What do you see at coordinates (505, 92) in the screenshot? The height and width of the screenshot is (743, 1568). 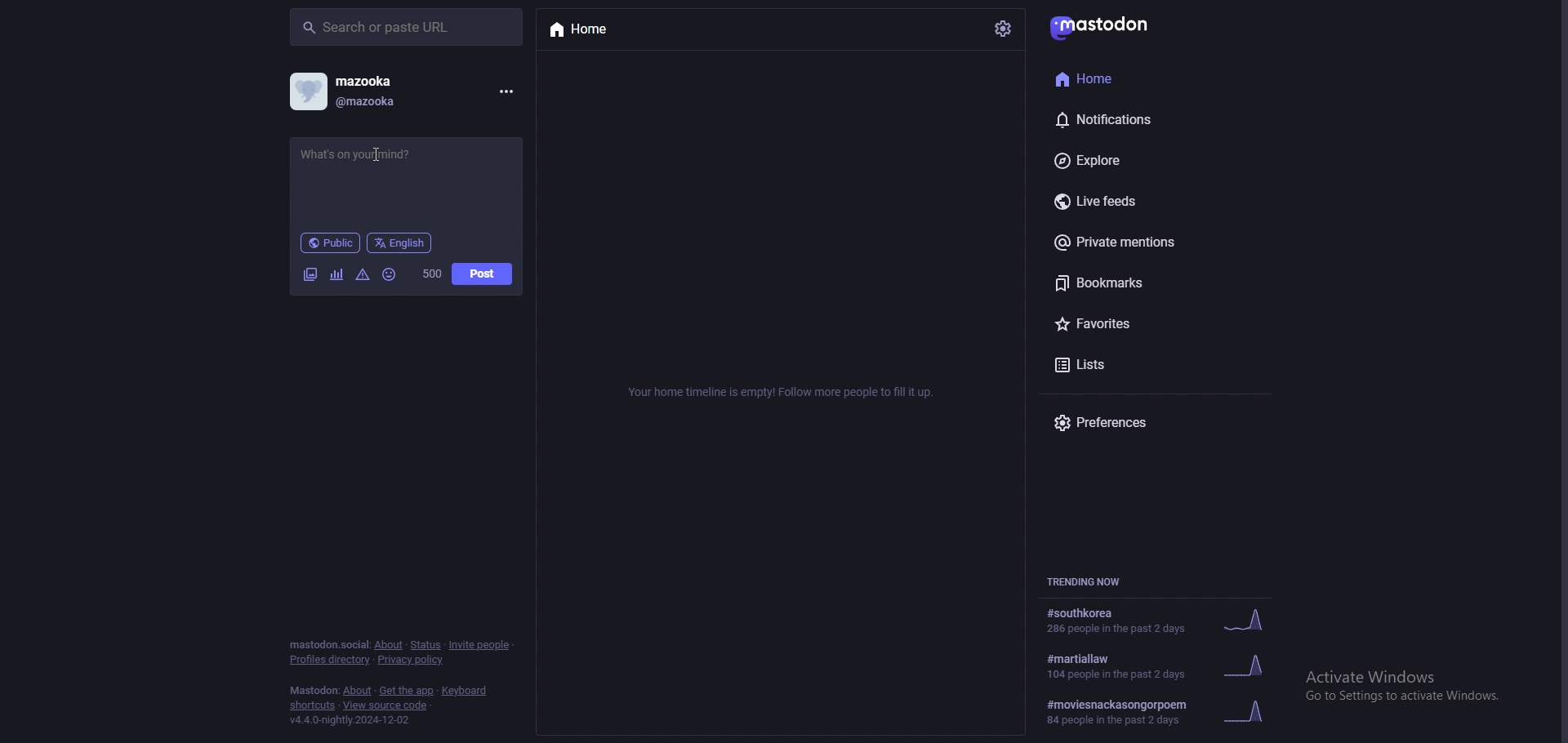 I see `menu` at bounding box center [505, 92].